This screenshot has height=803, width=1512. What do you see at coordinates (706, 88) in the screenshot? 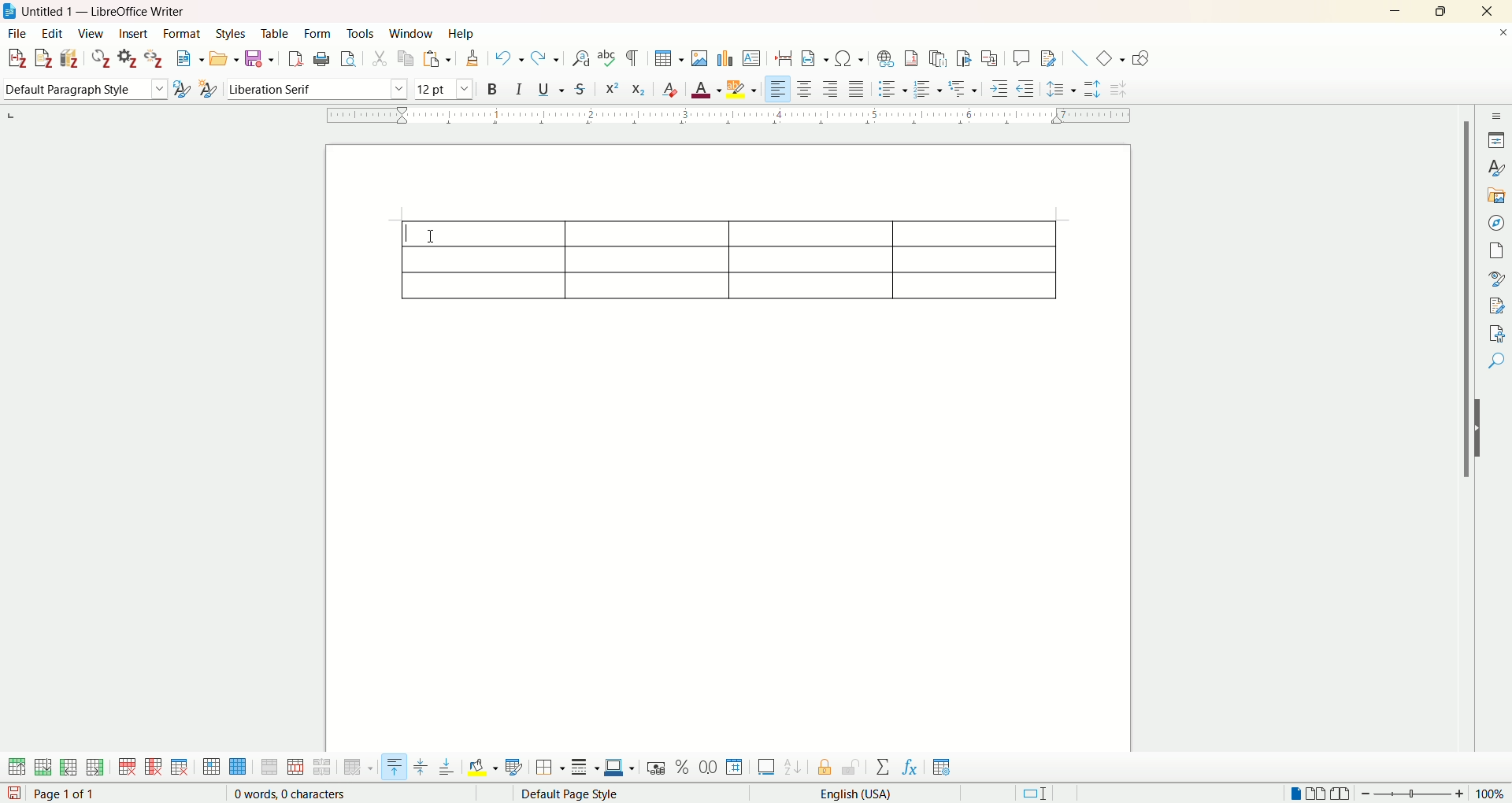
I see `font color` at bounding box center [706, 88].